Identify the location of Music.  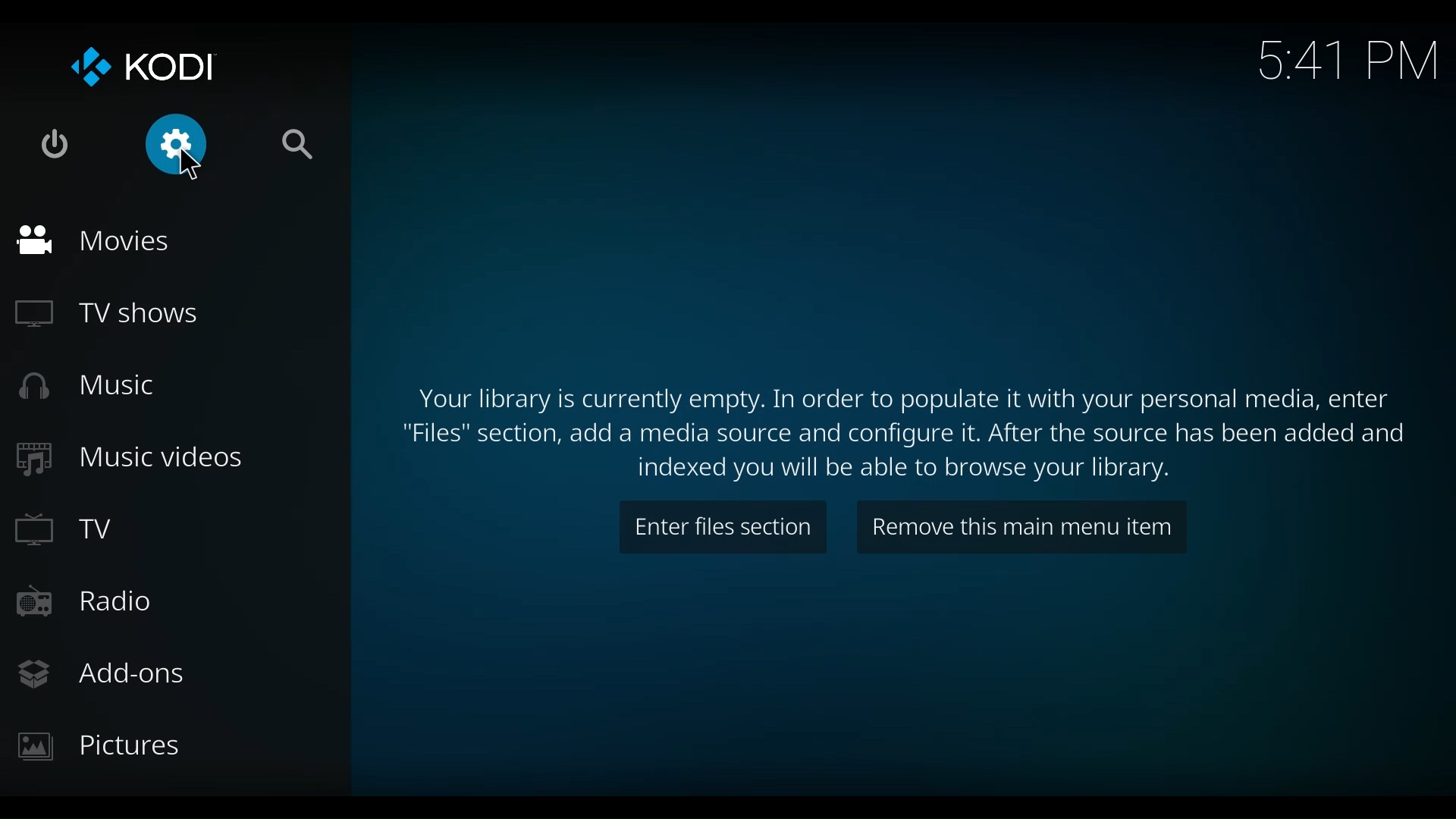
(87, 384).